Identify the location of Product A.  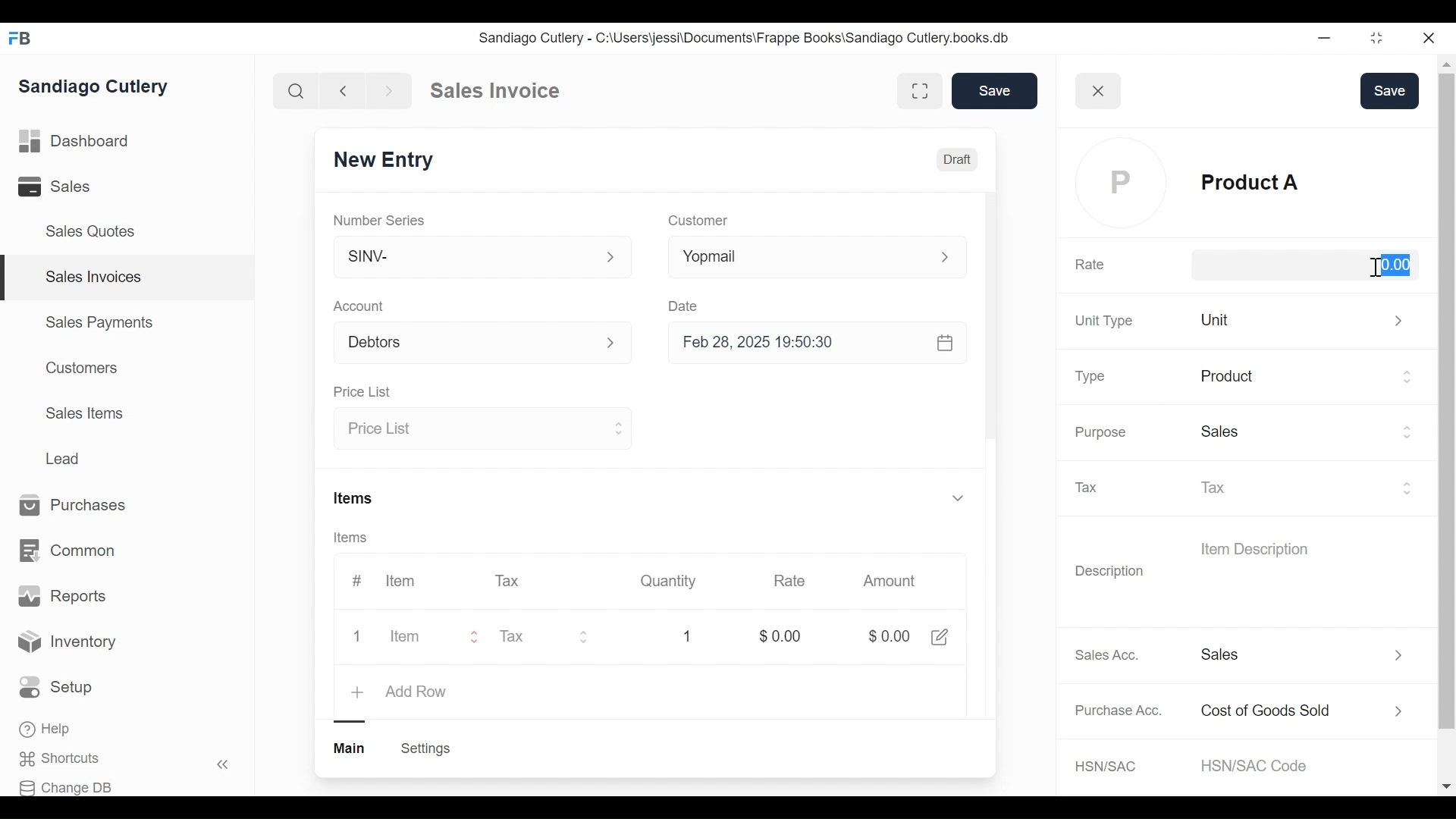
(1307, 184).